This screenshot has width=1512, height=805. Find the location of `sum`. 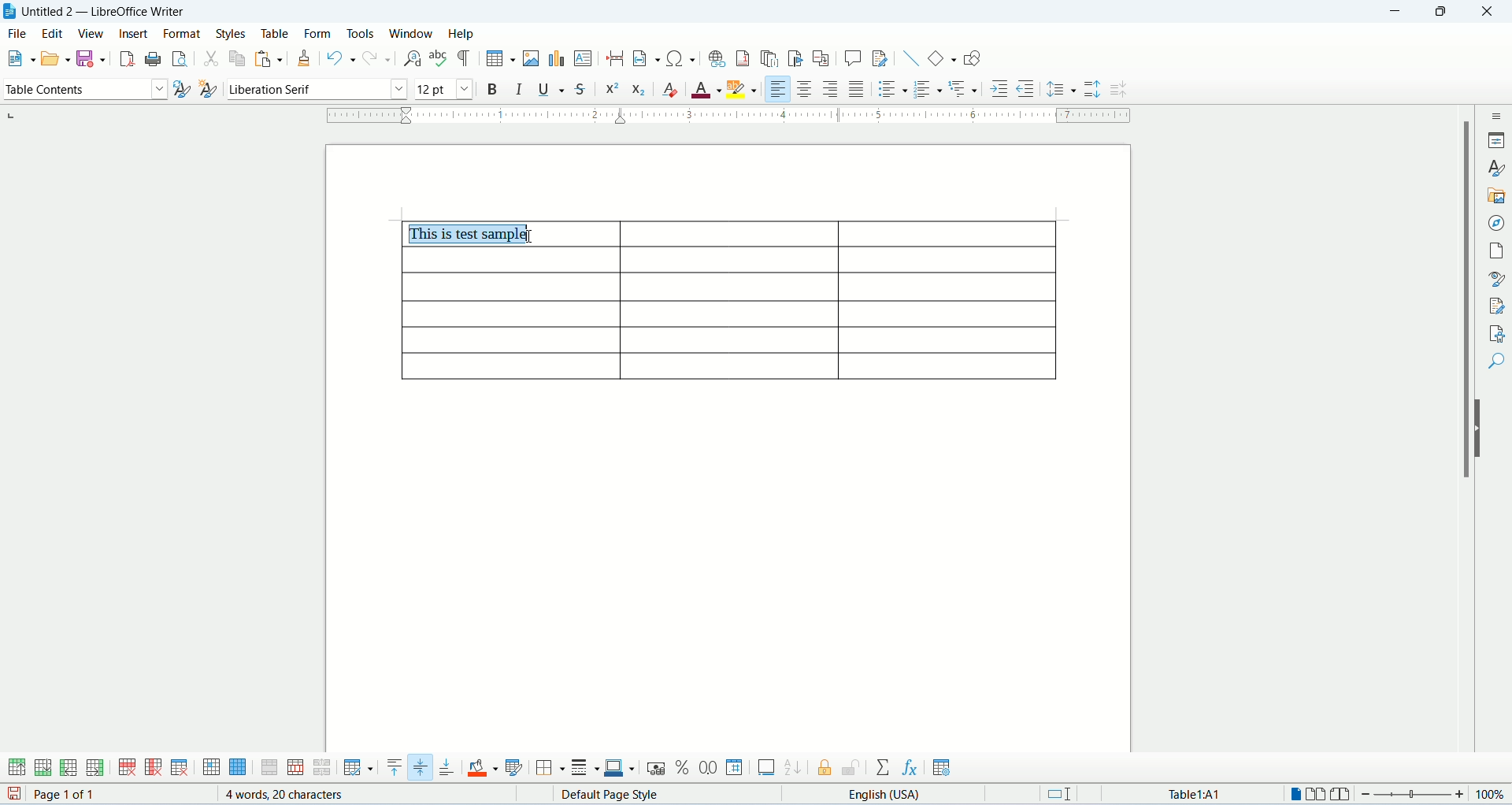

sum is located at coordinates (884, 767).